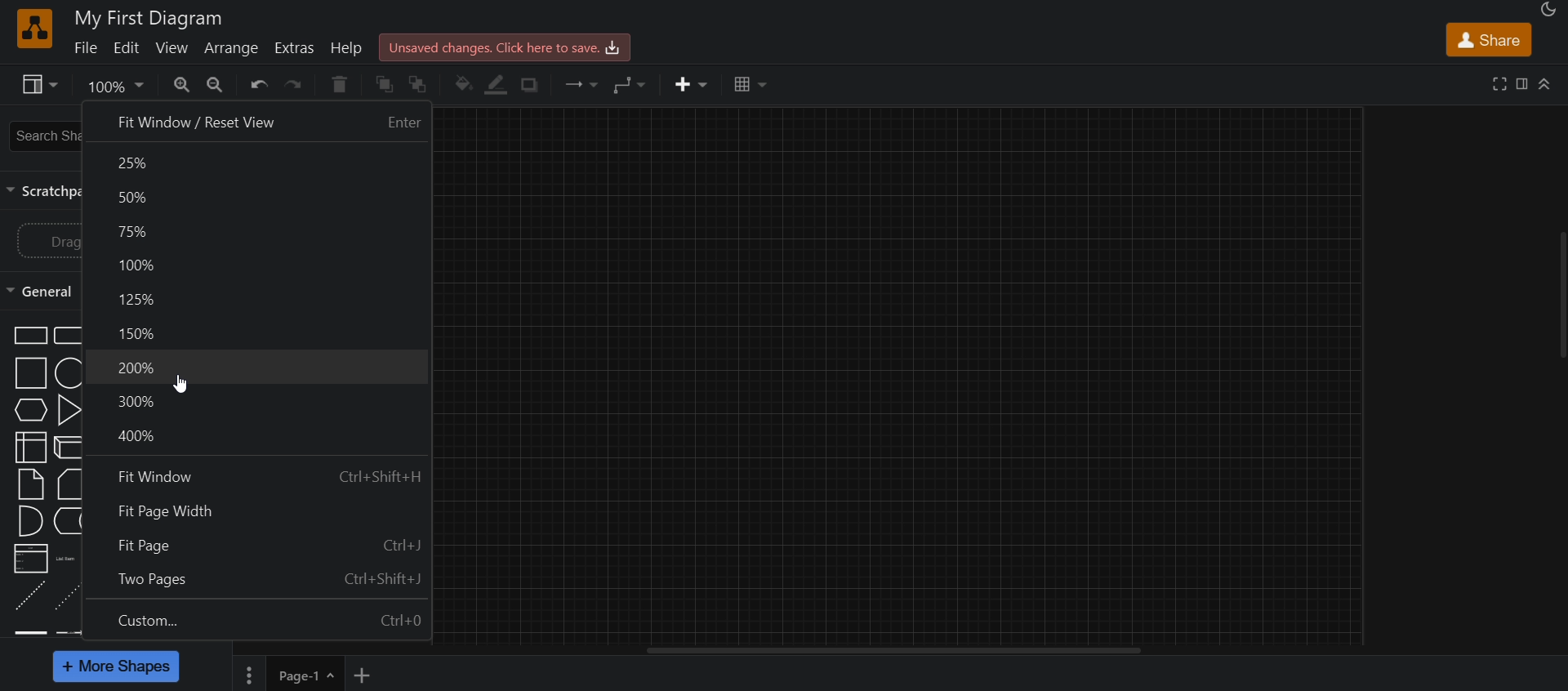 The width and height of the screenshot is (1568, 691). Describe the element at coordinates (47, 139) in the screenshot. I see `search` at that location.